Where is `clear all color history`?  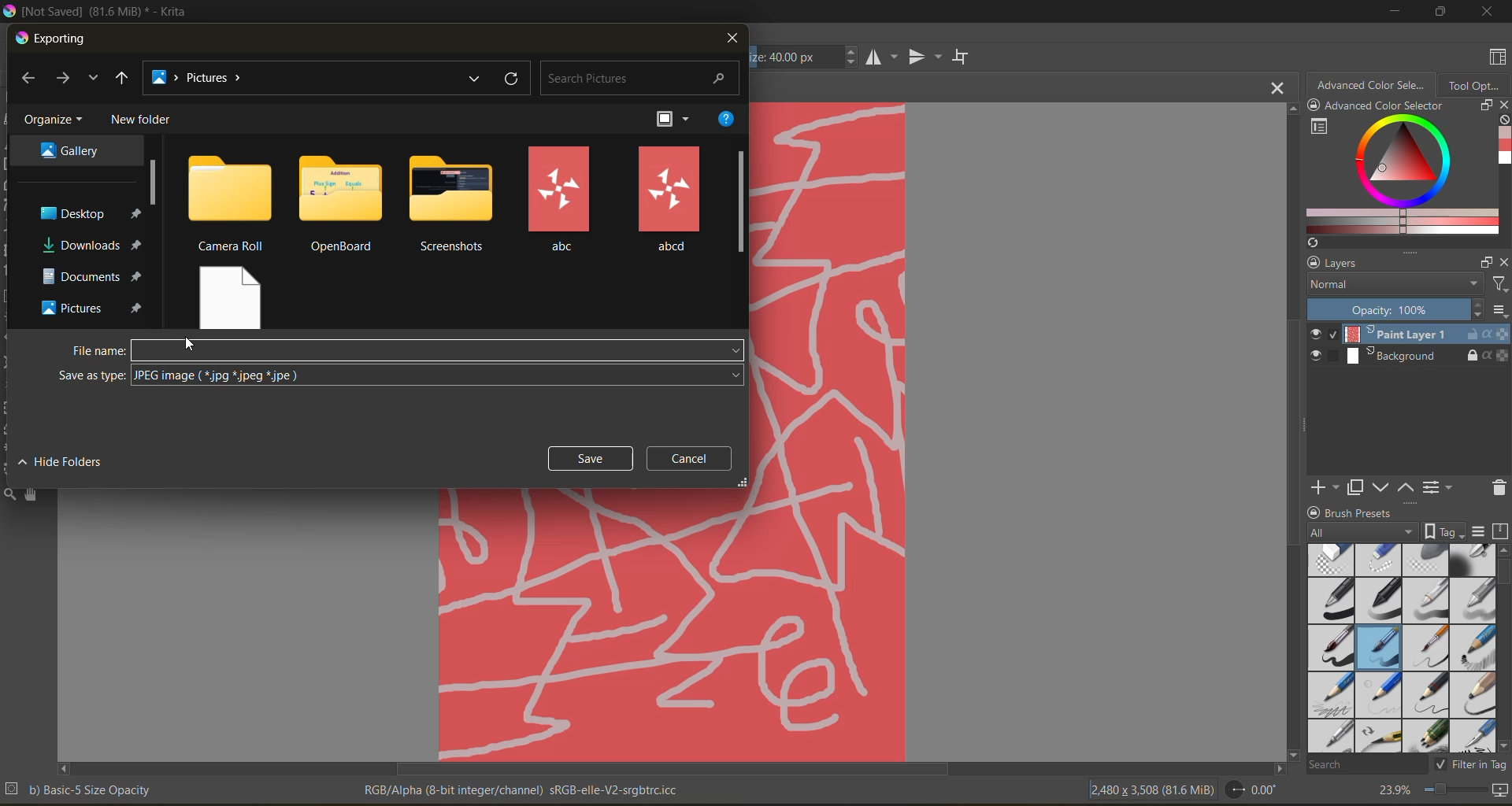 clear all color history is located at coordinates (1503, 121).